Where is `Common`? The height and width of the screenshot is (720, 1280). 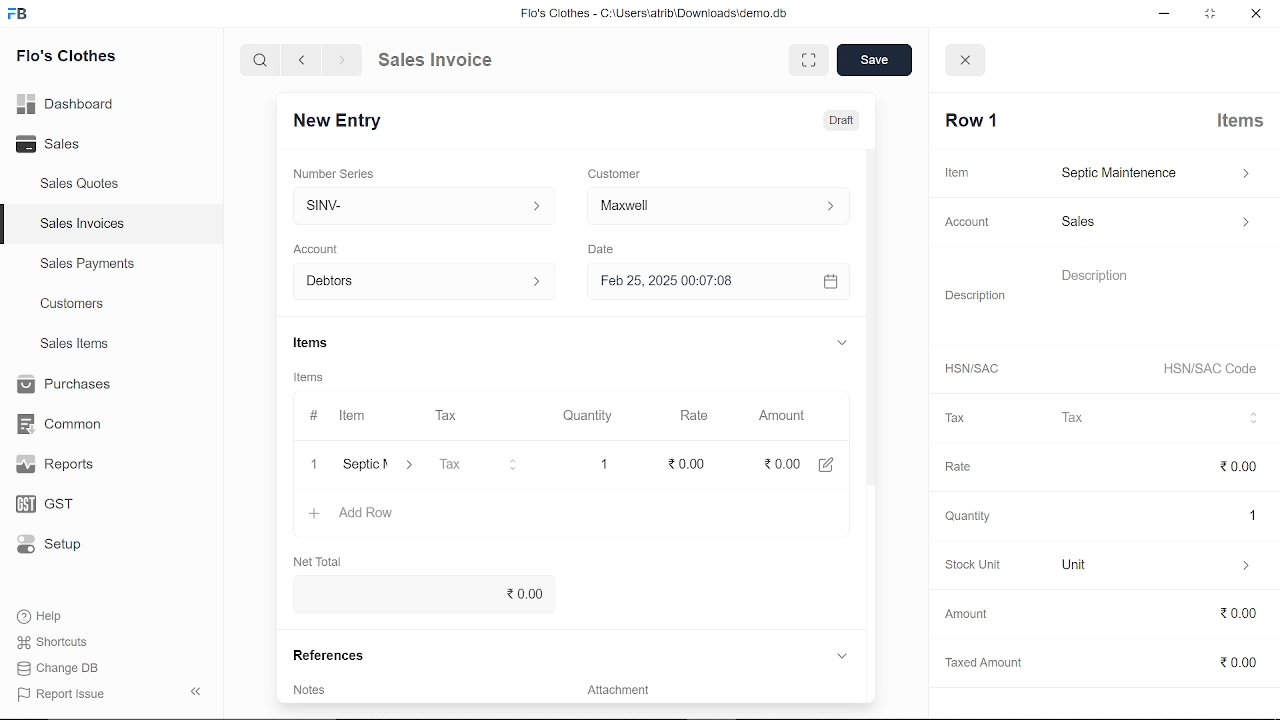
Common is located at coordinates (62, 424).